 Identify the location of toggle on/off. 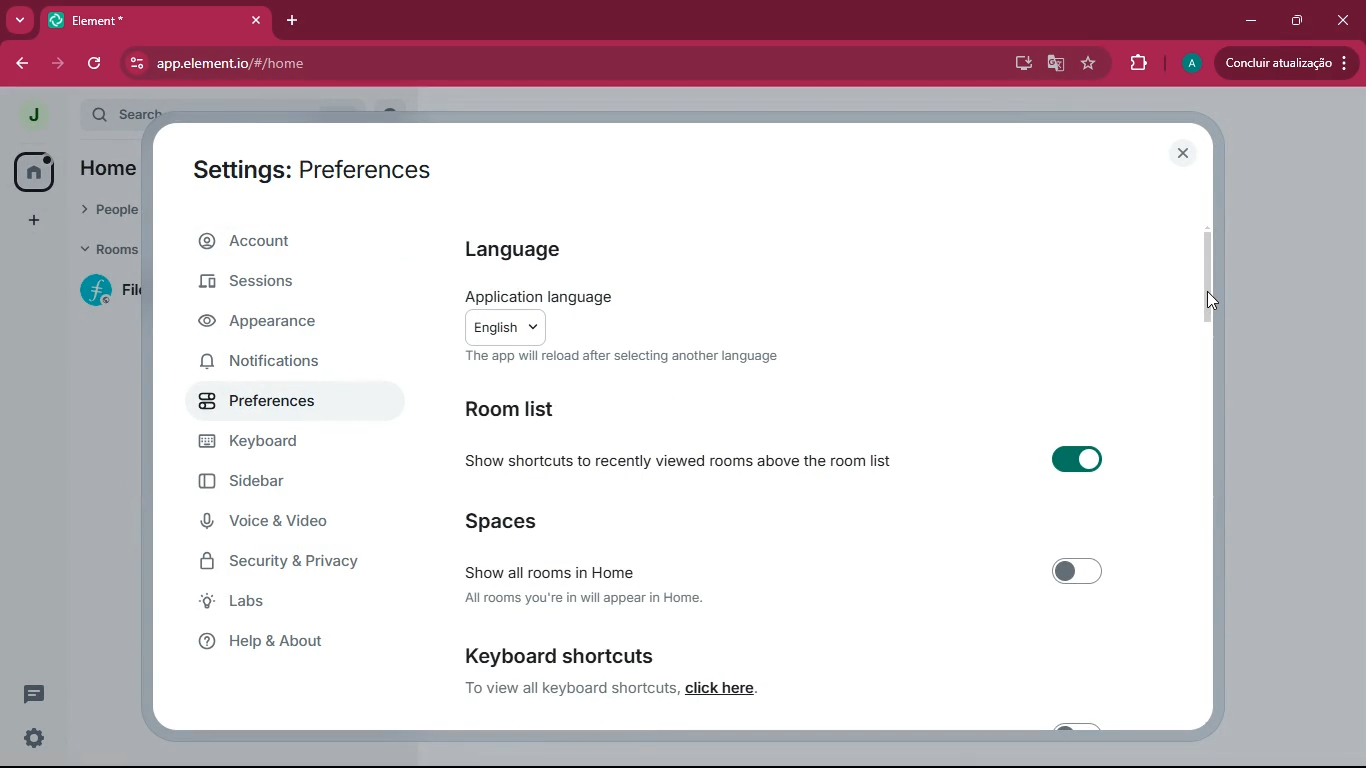
(1077, 458).